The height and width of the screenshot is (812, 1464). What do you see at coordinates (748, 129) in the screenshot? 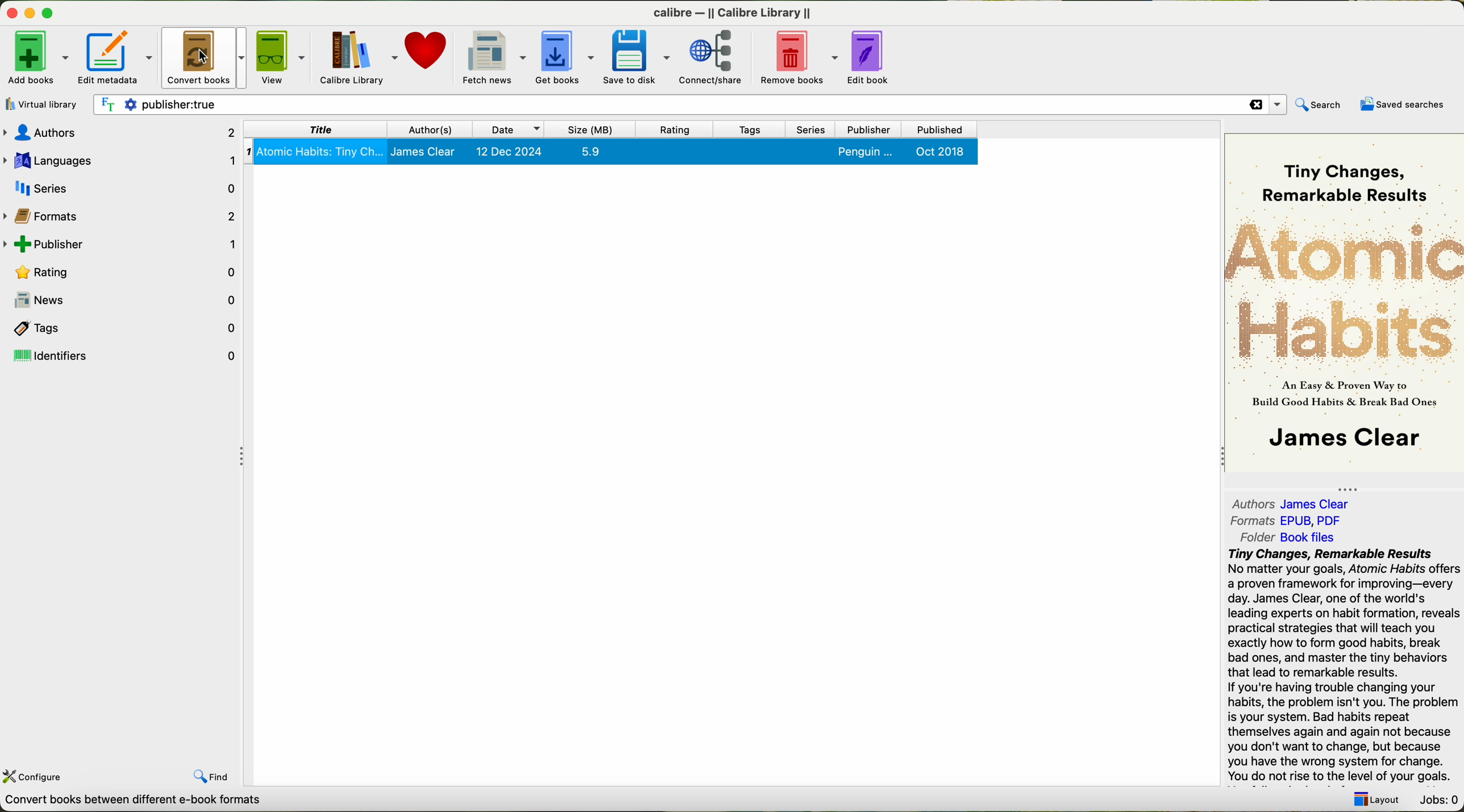
I see `tags` at bounding box center [748, 129].